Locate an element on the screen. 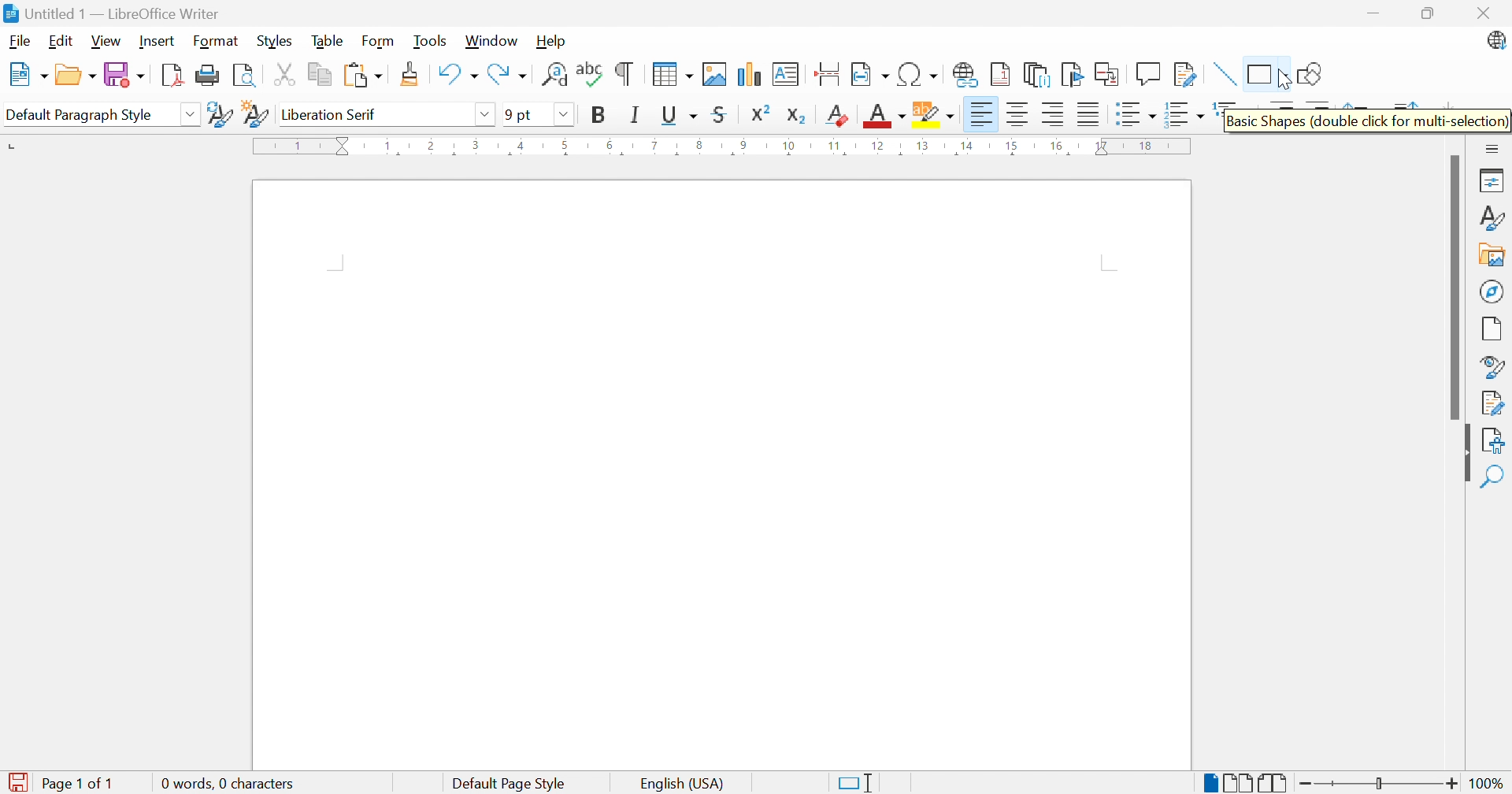 The height and width of the screenshot is (794, 1512). Undo is located at coordinates (456, 70).